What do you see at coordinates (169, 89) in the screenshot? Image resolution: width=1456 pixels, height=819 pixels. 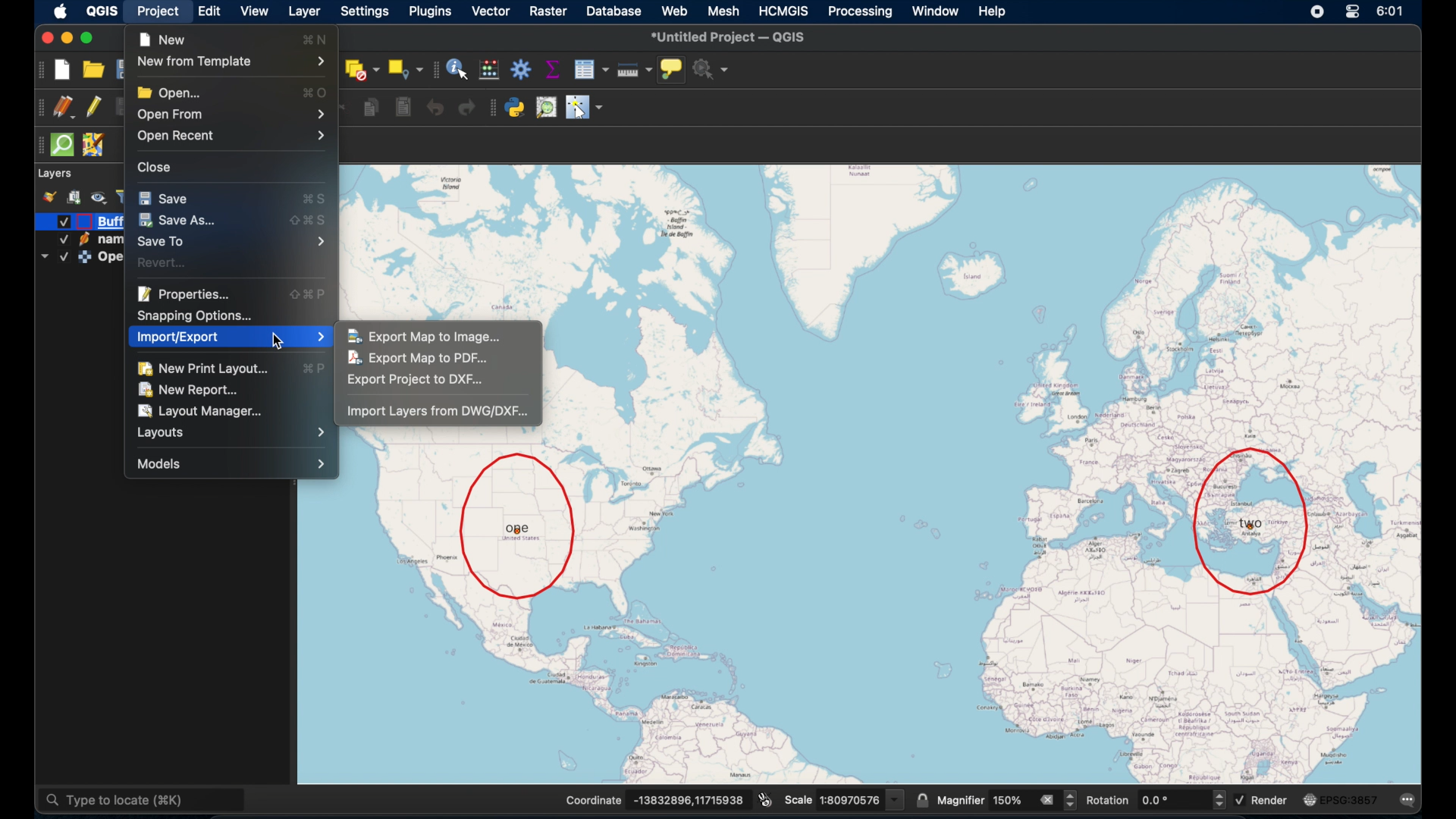 I see `open` at bounding box center [169, 89].